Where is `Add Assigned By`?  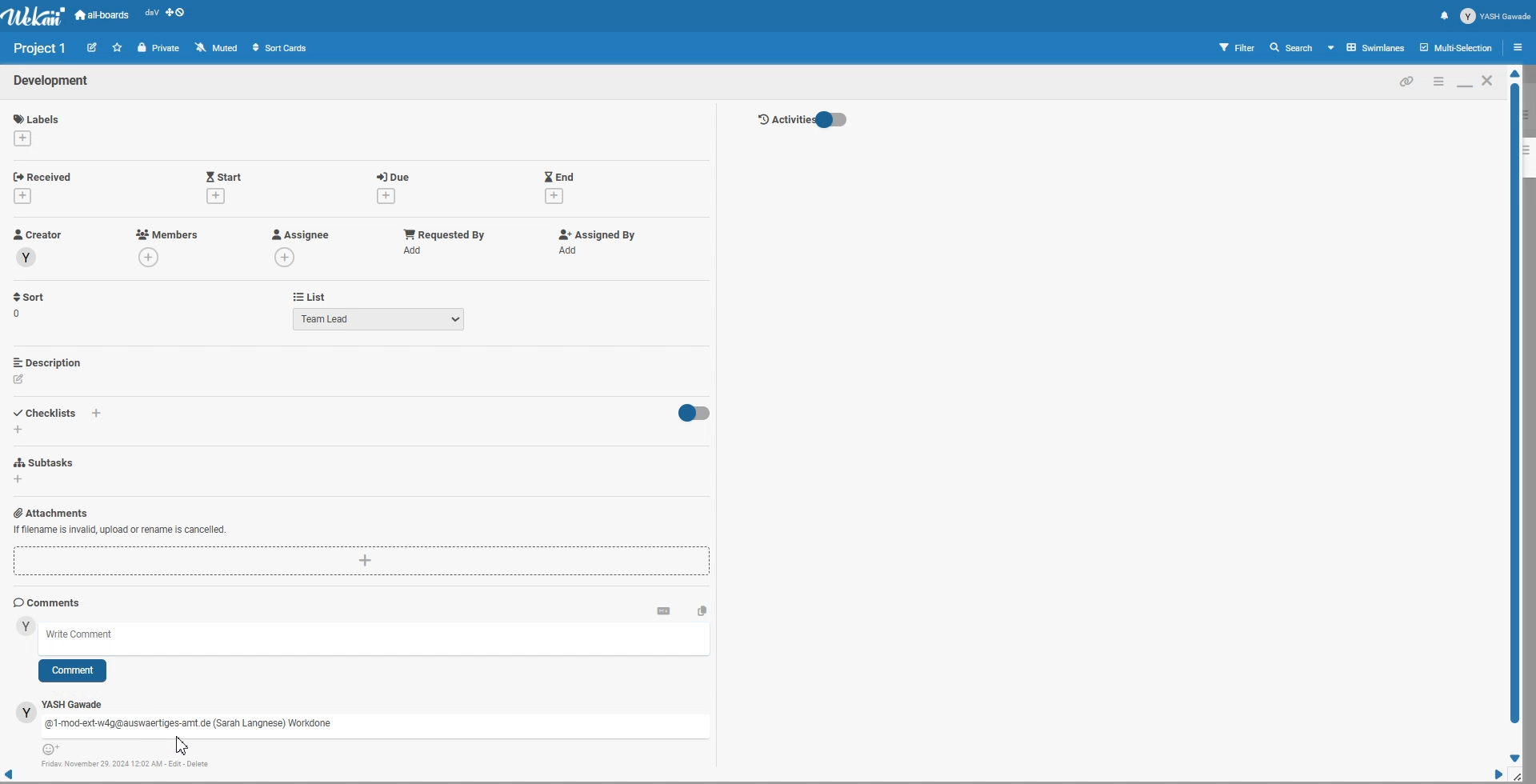 Add Assigned By is located at coordinates (594, 234).